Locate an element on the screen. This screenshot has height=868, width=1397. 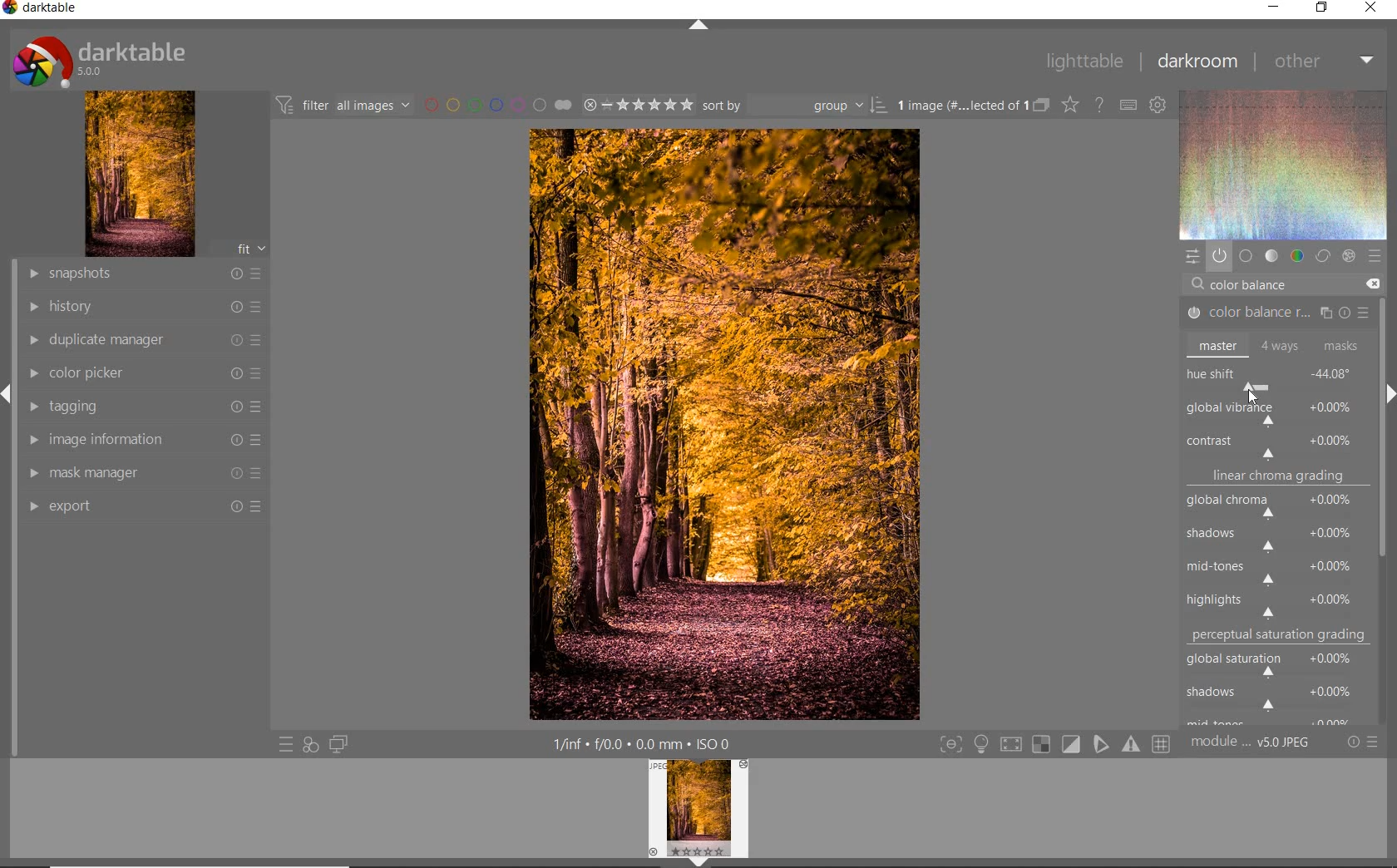
CURSOR POSITION is located at coordinates (1253, 395).